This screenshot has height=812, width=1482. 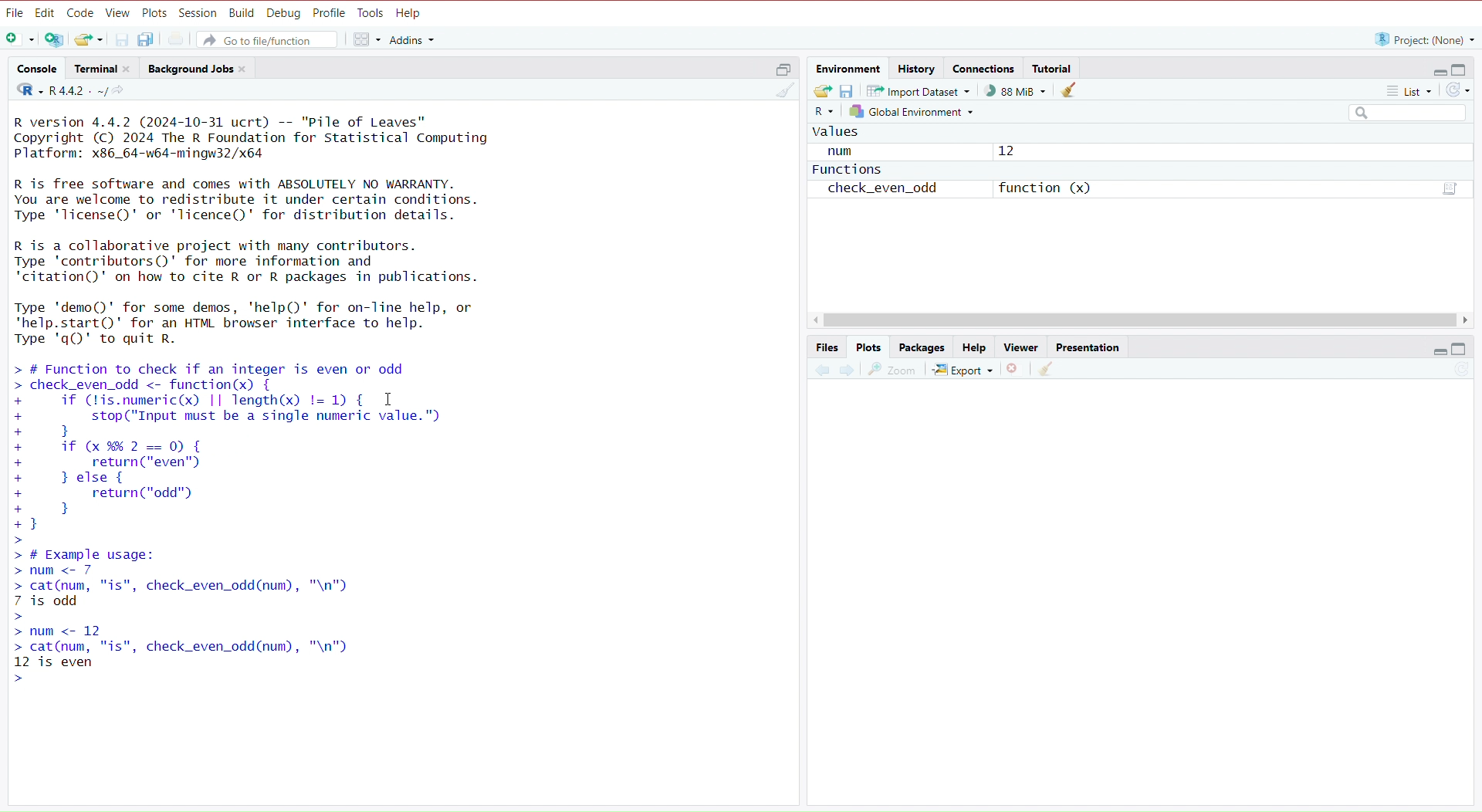 What do you see at coordinates (919, 67) in the screenshot?
I see `history` at bounding box center [919, 67].